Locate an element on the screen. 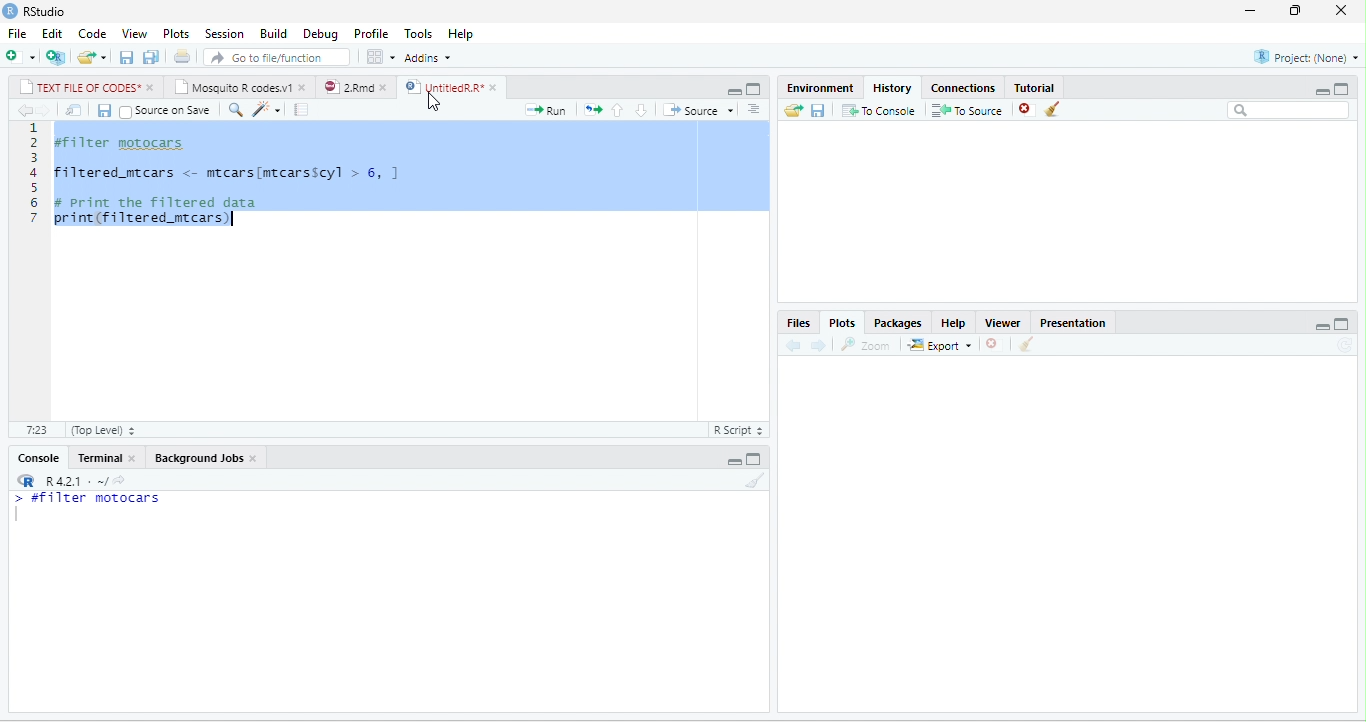  File is located at coordinates (17, 33).